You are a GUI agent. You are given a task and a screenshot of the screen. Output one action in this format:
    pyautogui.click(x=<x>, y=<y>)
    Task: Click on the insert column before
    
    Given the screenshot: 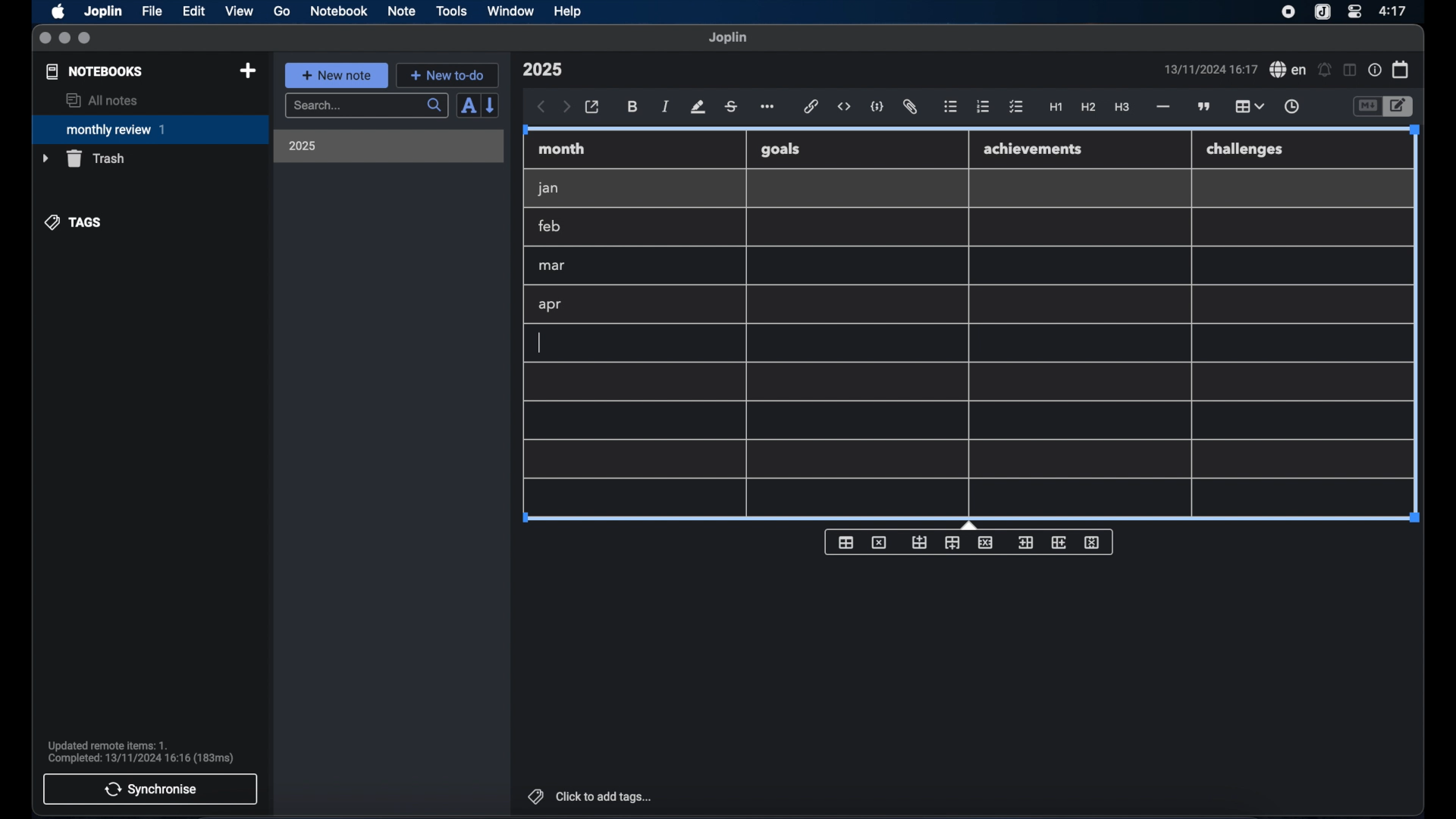 What is the action you would take?
    pyautogui.click(x=1025, y=543)
    